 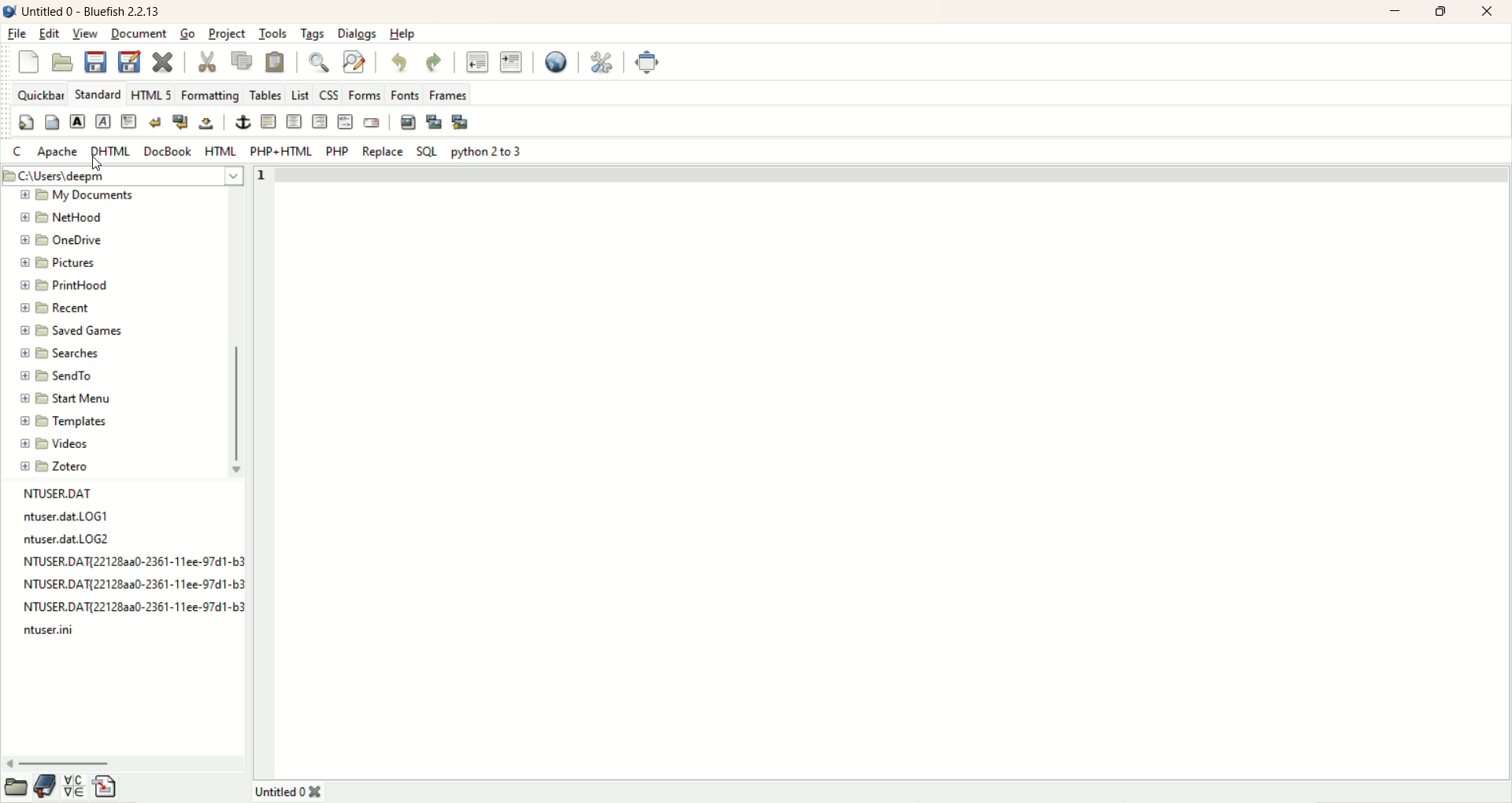 What do you see at coordinates (46, 788) in the screenshot?
I see `documentation` at bounding box center [46, 788].